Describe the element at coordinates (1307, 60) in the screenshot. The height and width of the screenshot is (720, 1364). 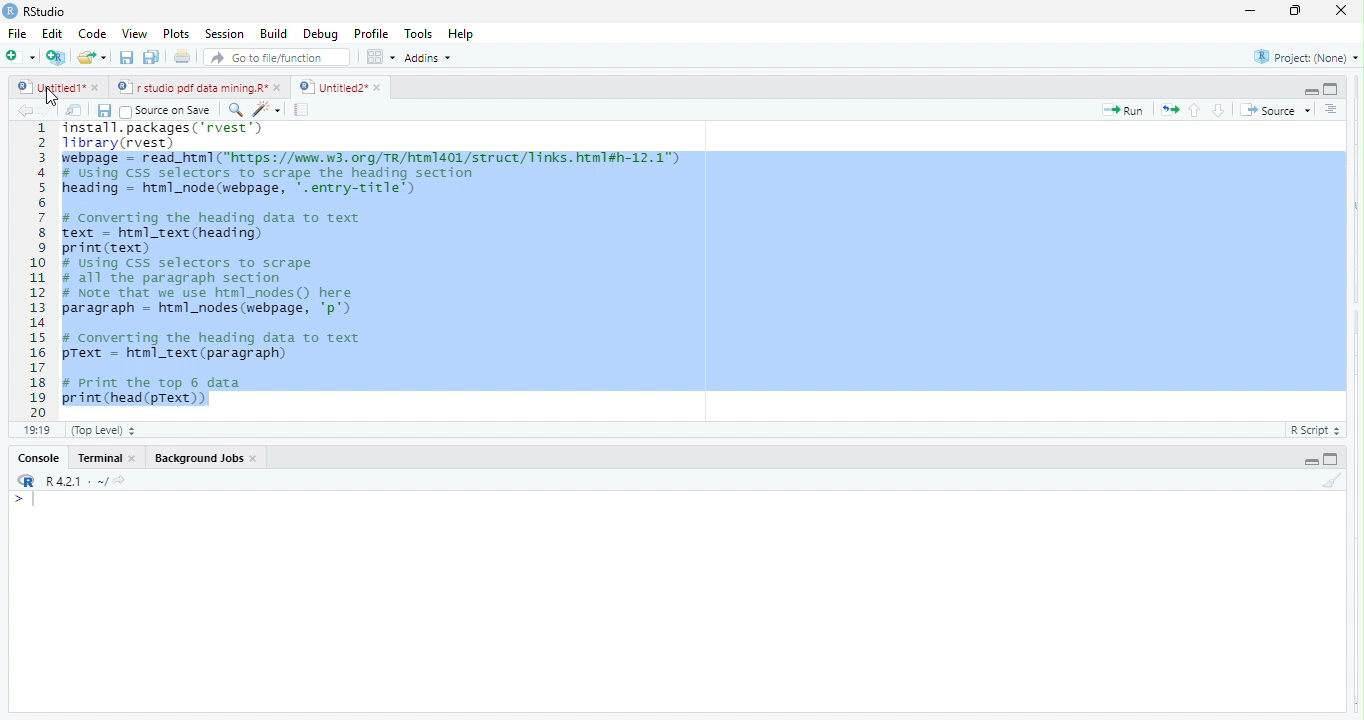
I see ` project: (None)` at that location.